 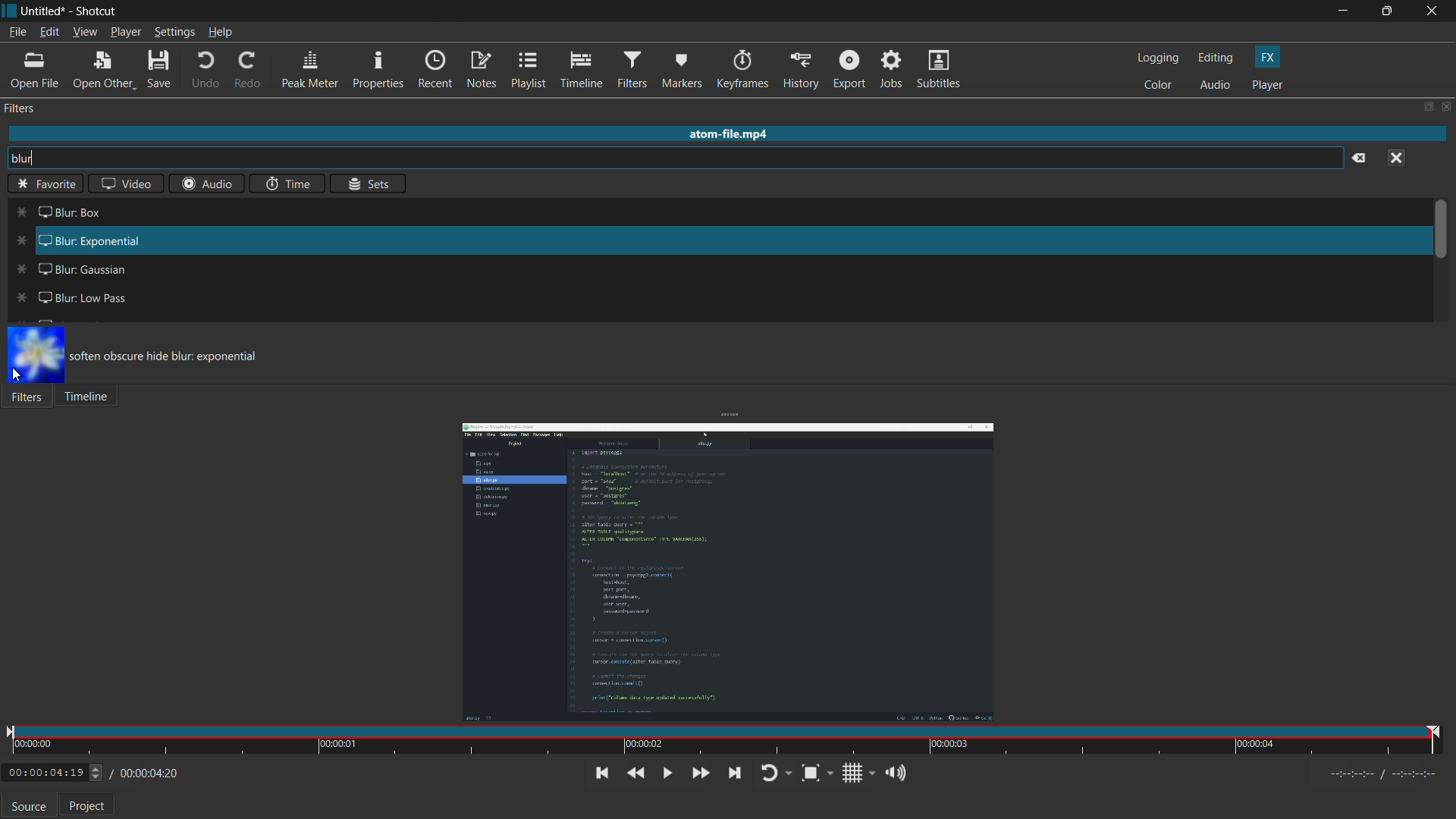 What do you see at coordinates (1360, 158) in the screenshot?
I see `clear search` at bounding box center [1360, 158].